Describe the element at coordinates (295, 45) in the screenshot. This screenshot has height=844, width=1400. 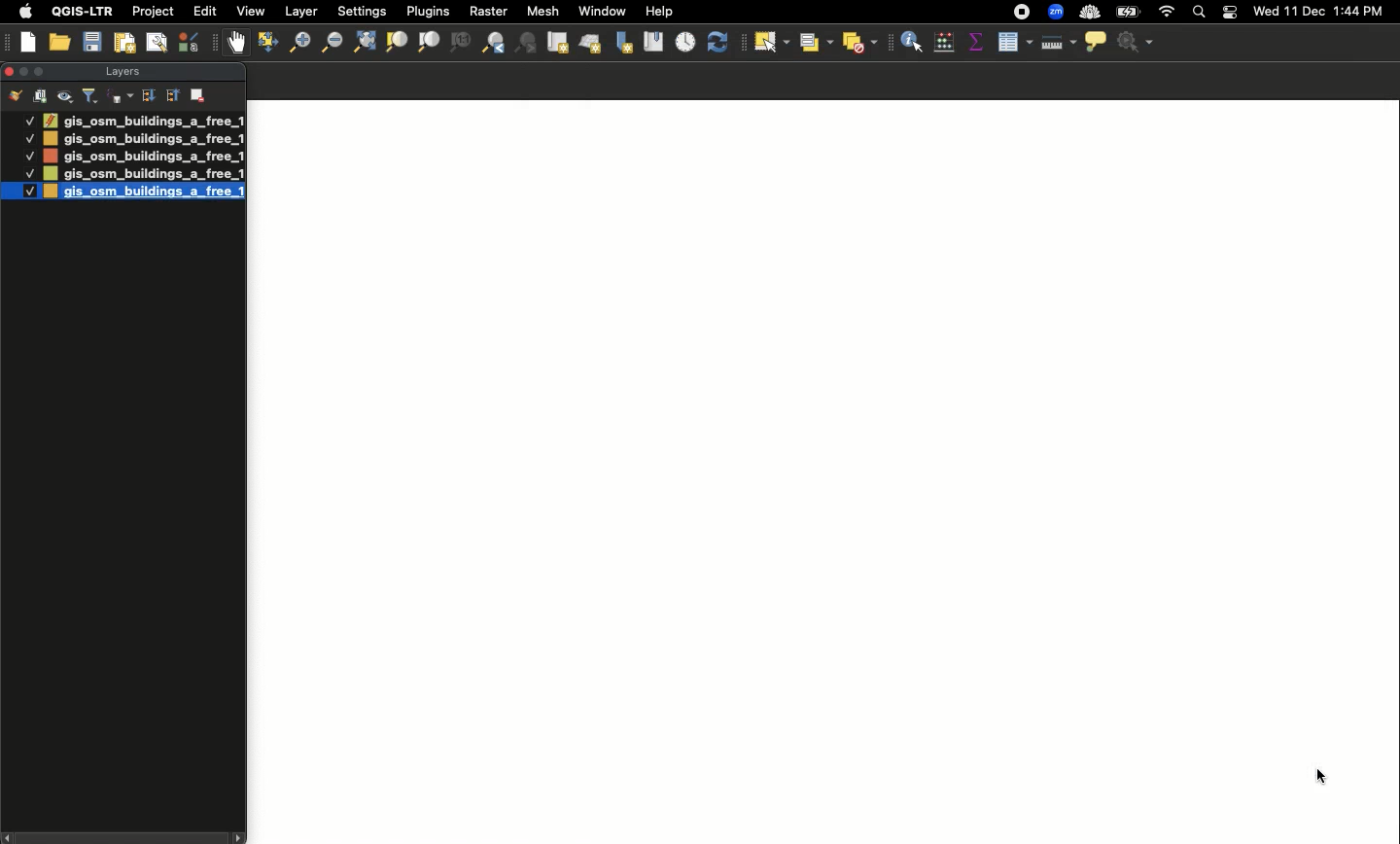
I see `Zoom out` at that location.